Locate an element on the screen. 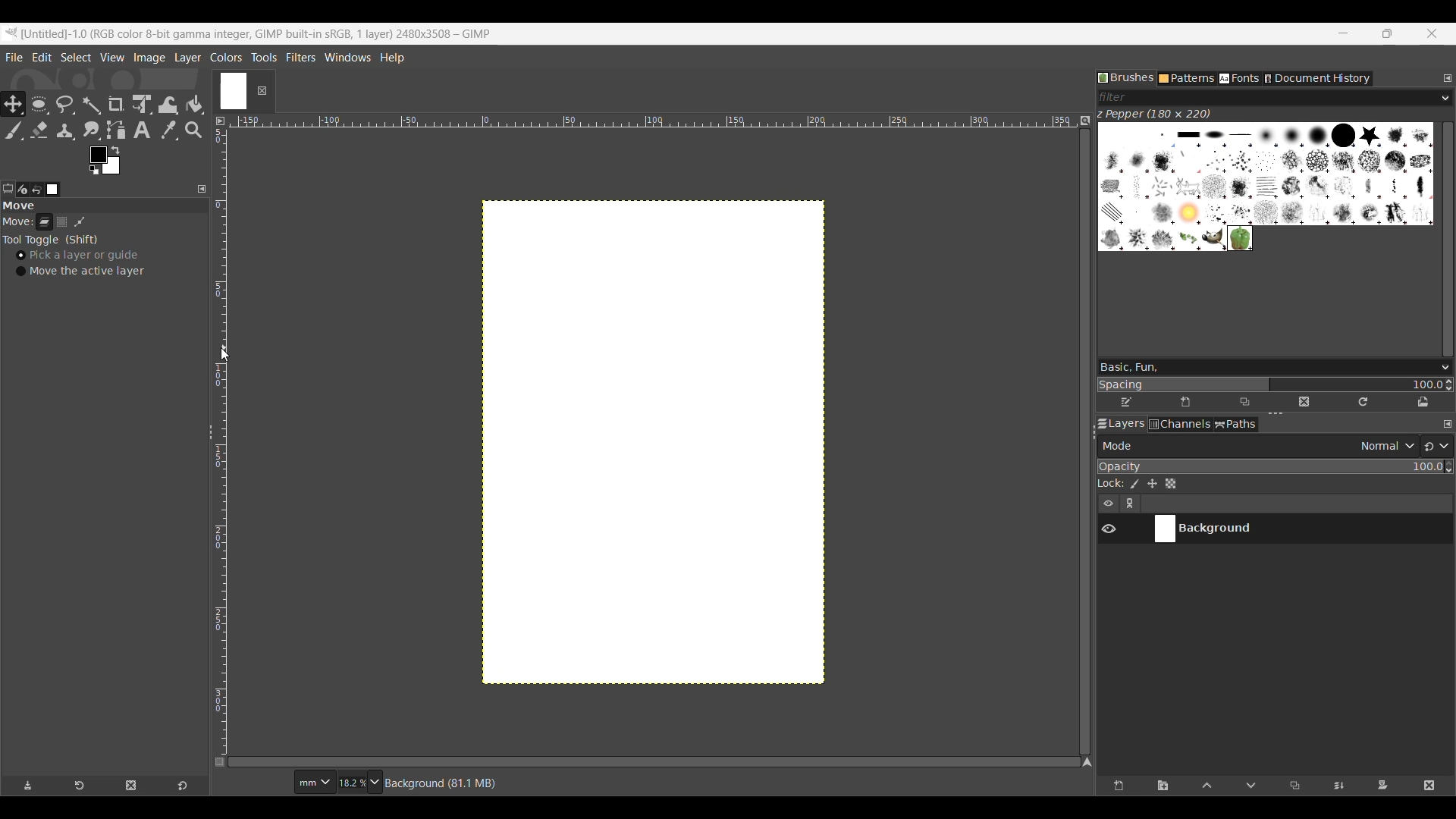 This screenshot has width=1456, height=819. Delete layer is located at coordinates (1429, 786).